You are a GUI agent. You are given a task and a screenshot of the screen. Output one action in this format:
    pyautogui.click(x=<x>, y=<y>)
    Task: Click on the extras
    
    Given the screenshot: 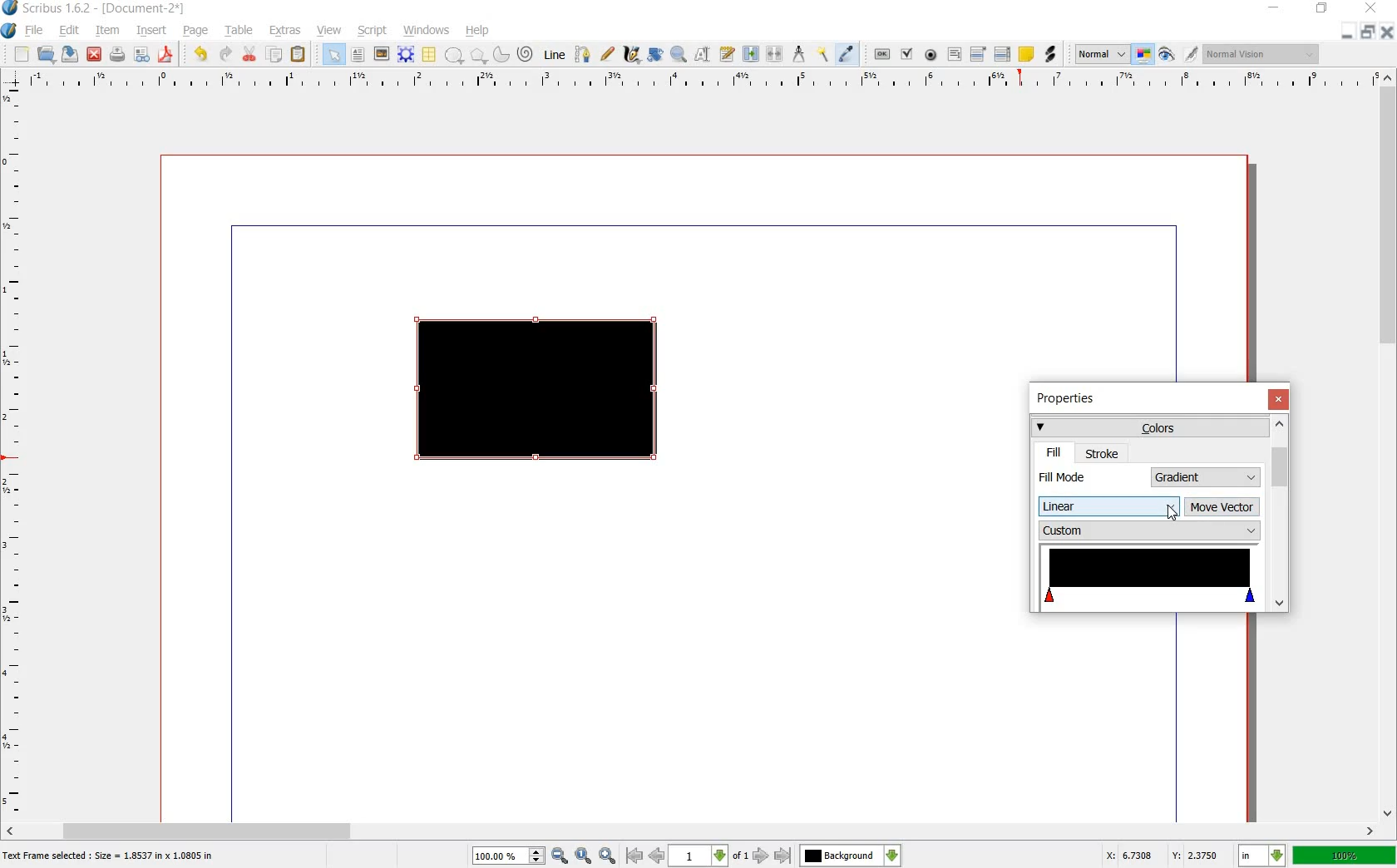 What is the action you would take?
    pyautogui.click(x=285, y=31)
    